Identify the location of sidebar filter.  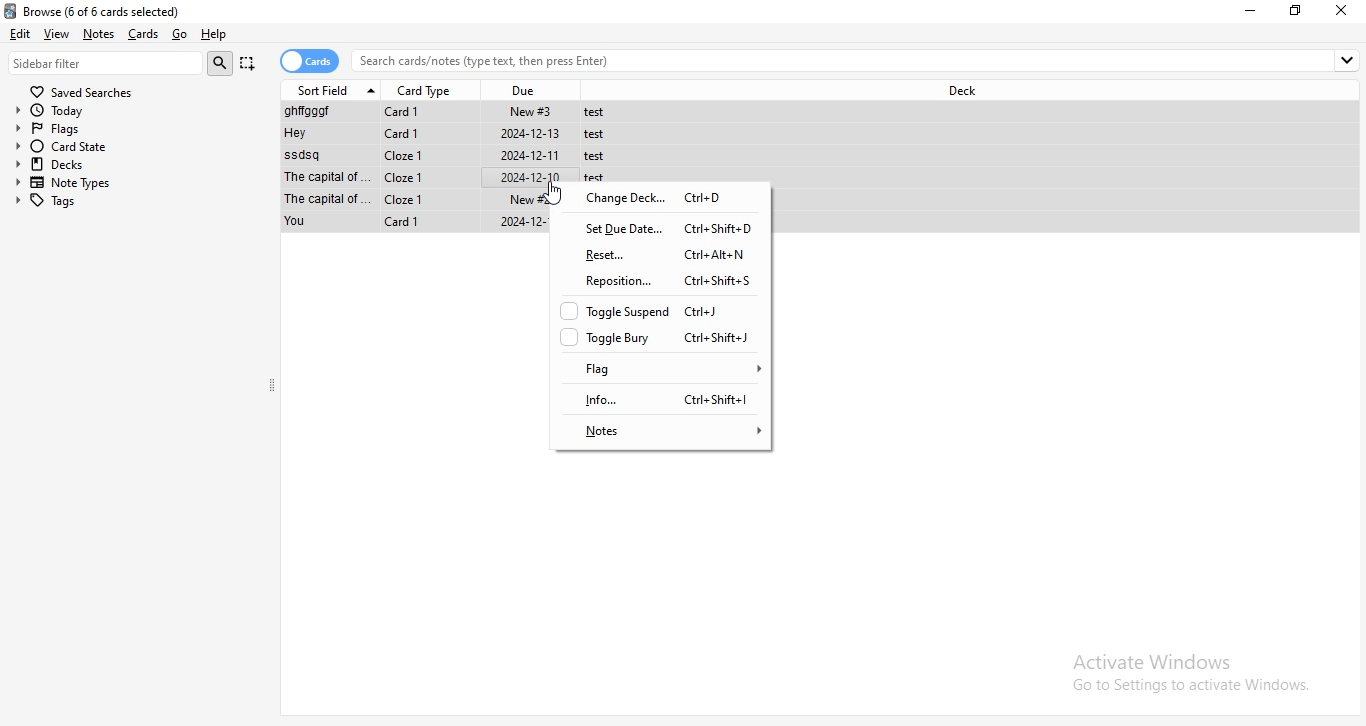
(106, 63).